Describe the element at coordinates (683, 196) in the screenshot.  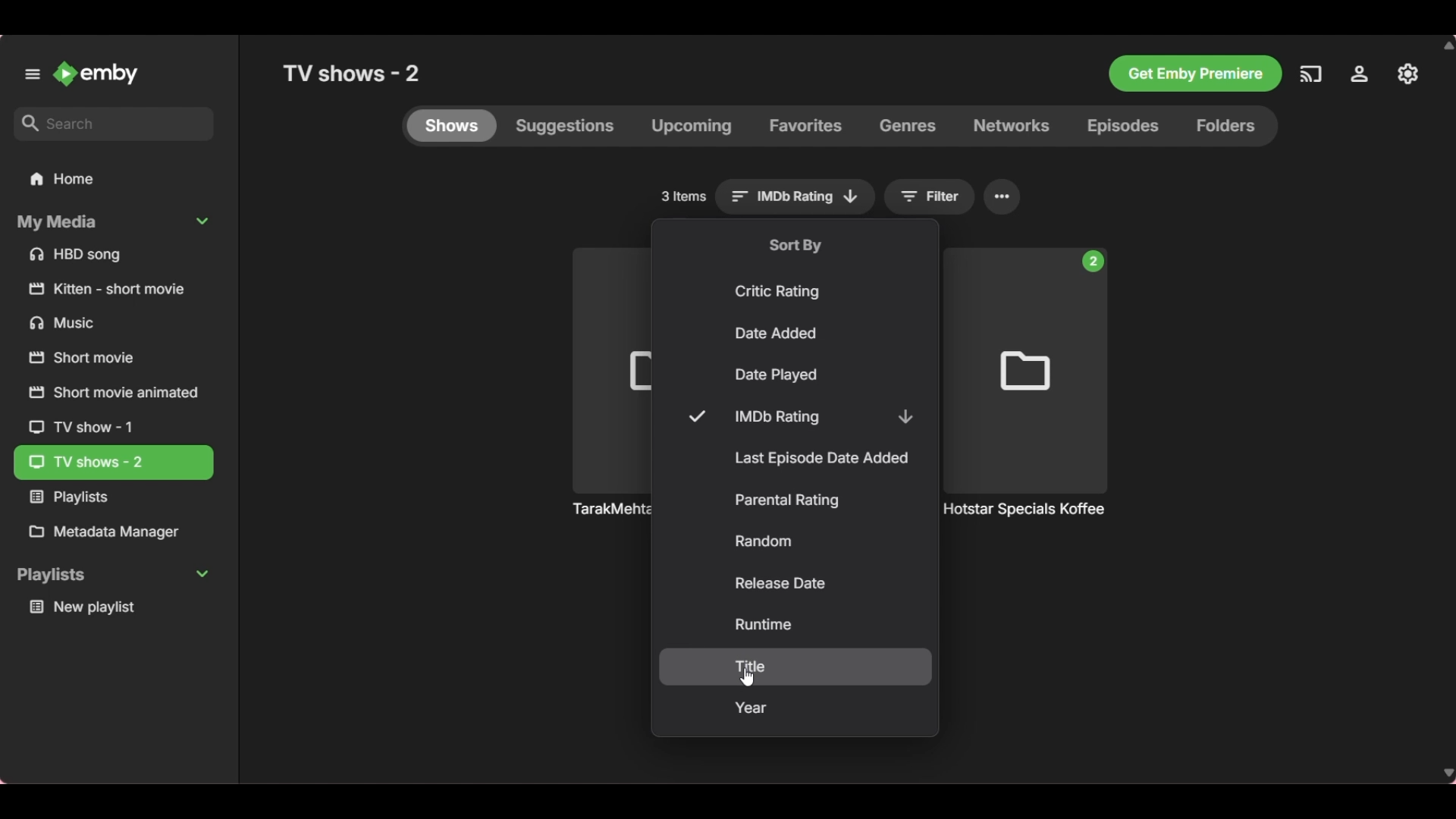
I see `Total number of folders in Shows` at that location.